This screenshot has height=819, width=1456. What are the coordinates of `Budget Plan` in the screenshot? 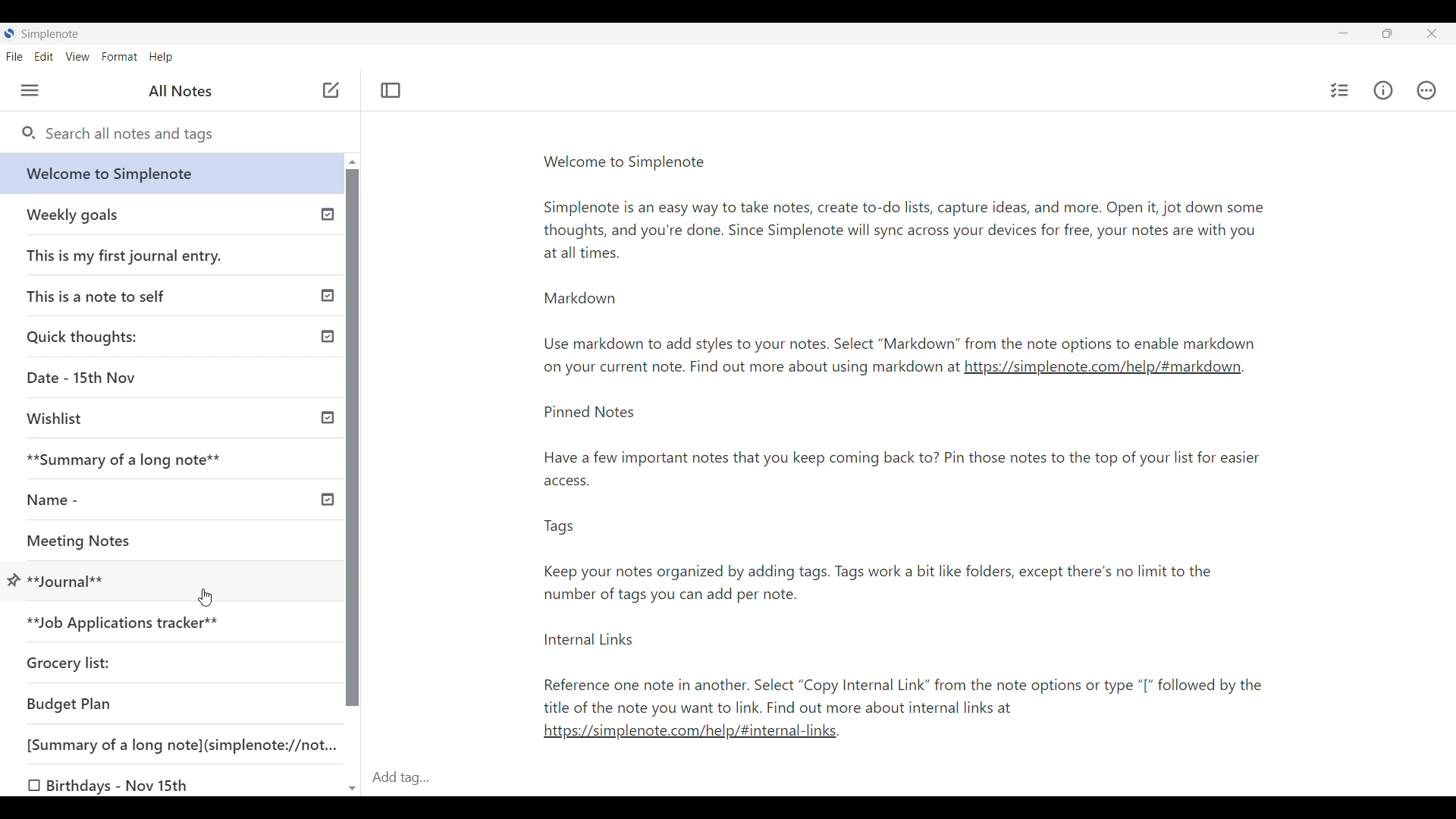 It's located at (70, 704).